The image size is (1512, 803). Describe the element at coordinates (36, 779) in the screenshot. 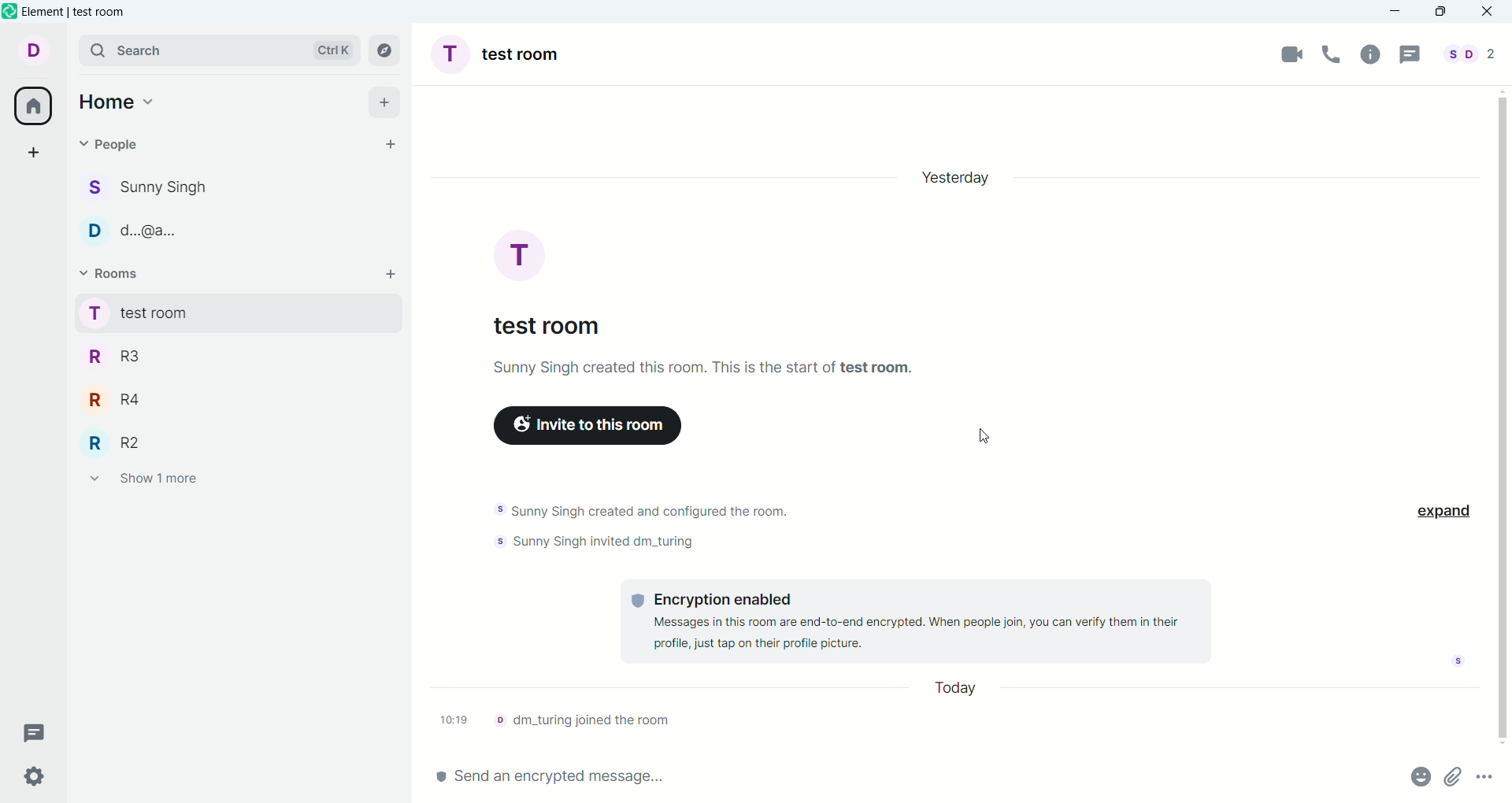

I see `settings` at that location.